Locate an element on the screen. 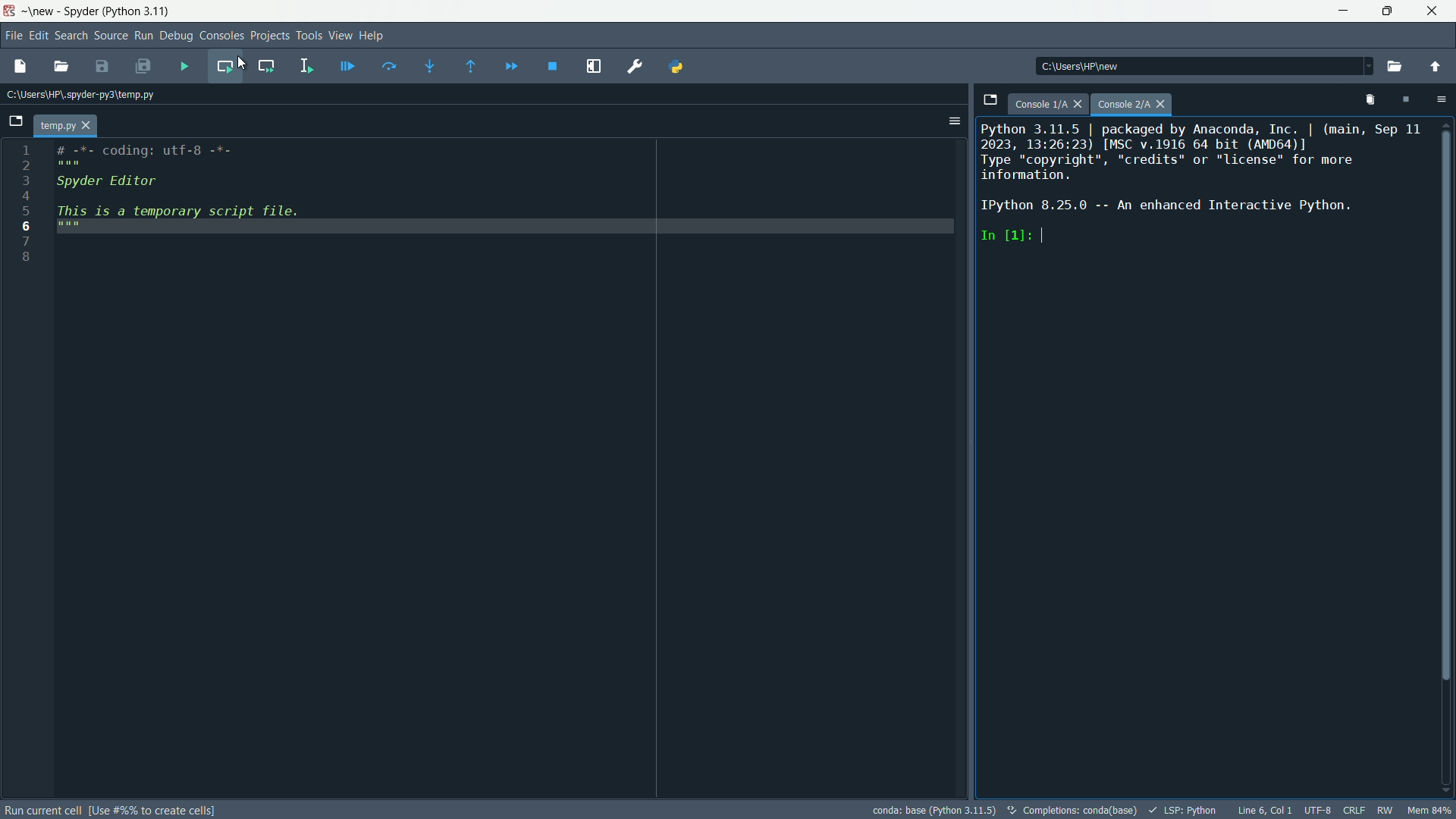 Image resolution: width=1456 pixels, height=819 pixels. run selection or current line is located at coordinates (312, 65).